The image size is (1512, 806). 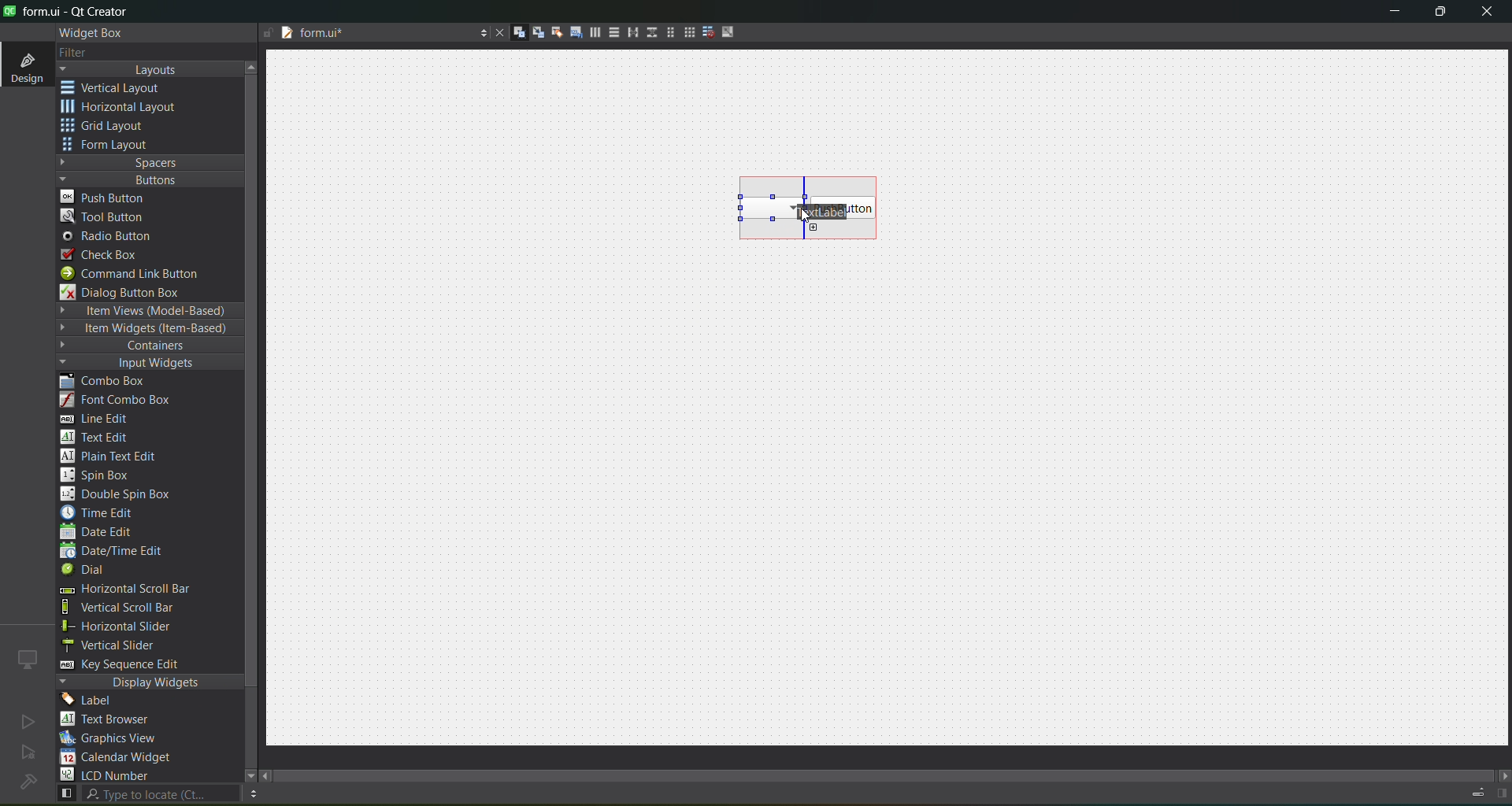 I want to click on move right, so click(x=1503, y=777).